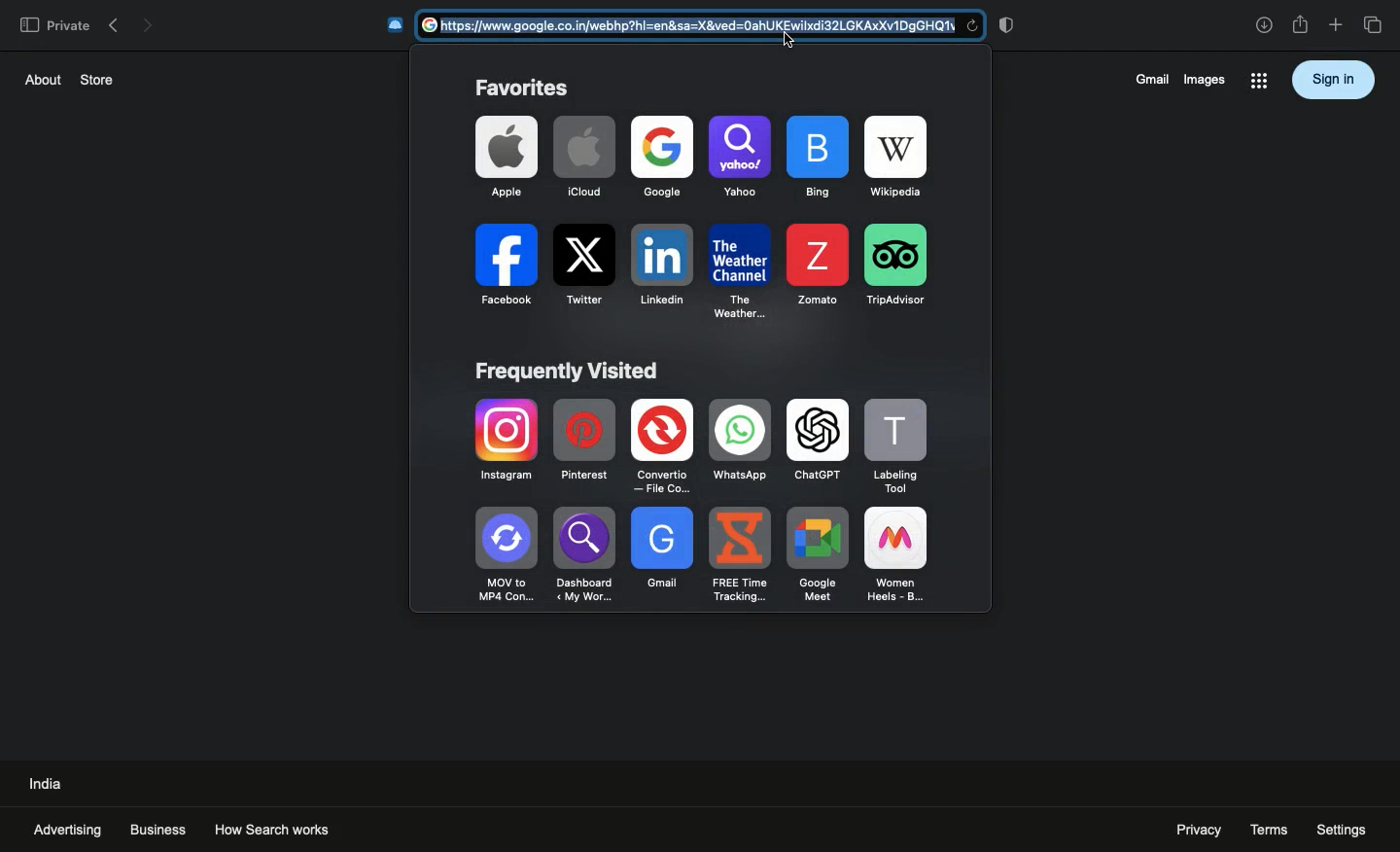  I want to click on extension, so click(396, 25).